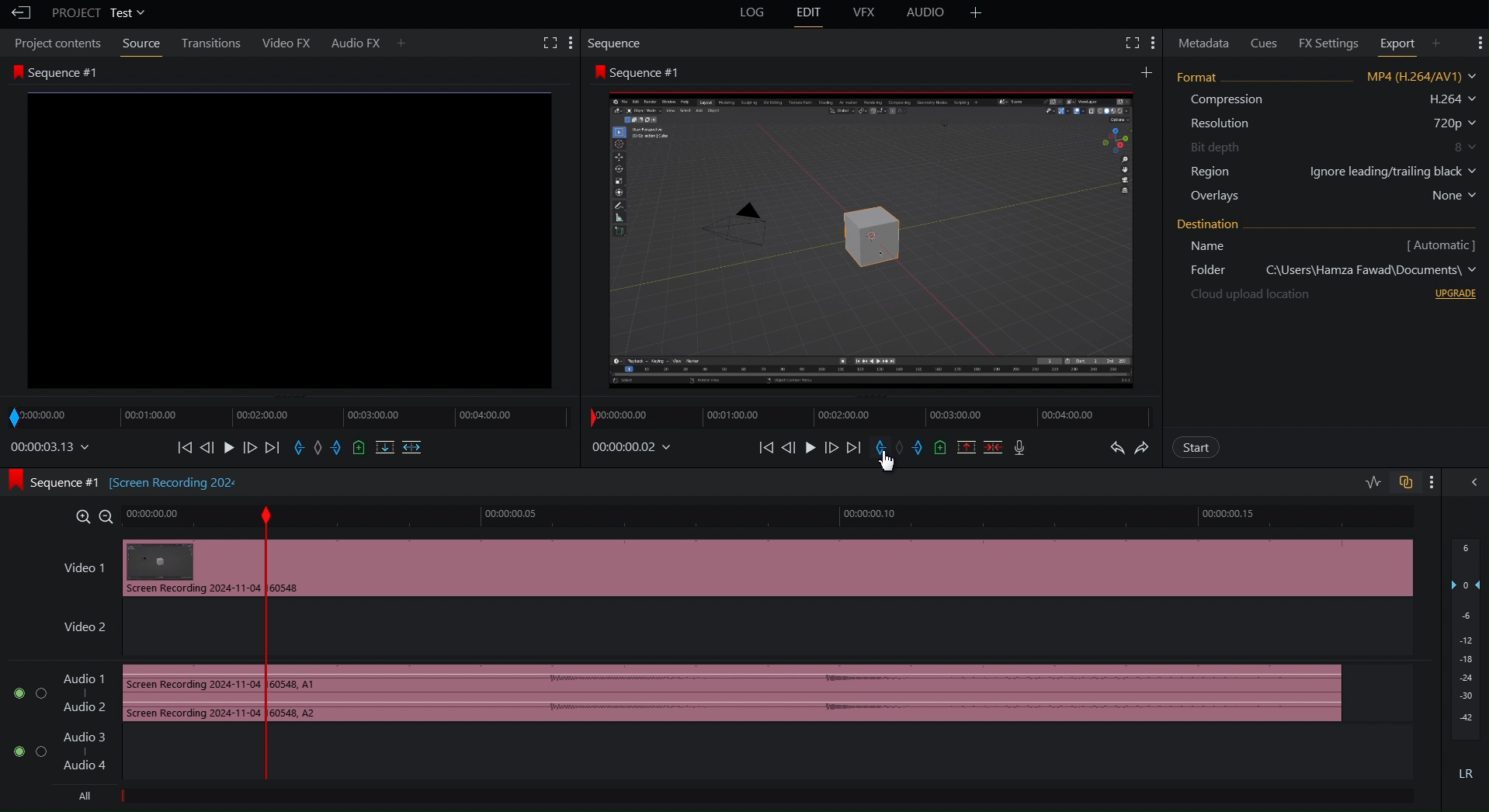 Image resolution: width=1489 pixels, height=812 pixels. Describe the element at coordinates (304, 451) in the screenshot. I see `Controls` at that location.